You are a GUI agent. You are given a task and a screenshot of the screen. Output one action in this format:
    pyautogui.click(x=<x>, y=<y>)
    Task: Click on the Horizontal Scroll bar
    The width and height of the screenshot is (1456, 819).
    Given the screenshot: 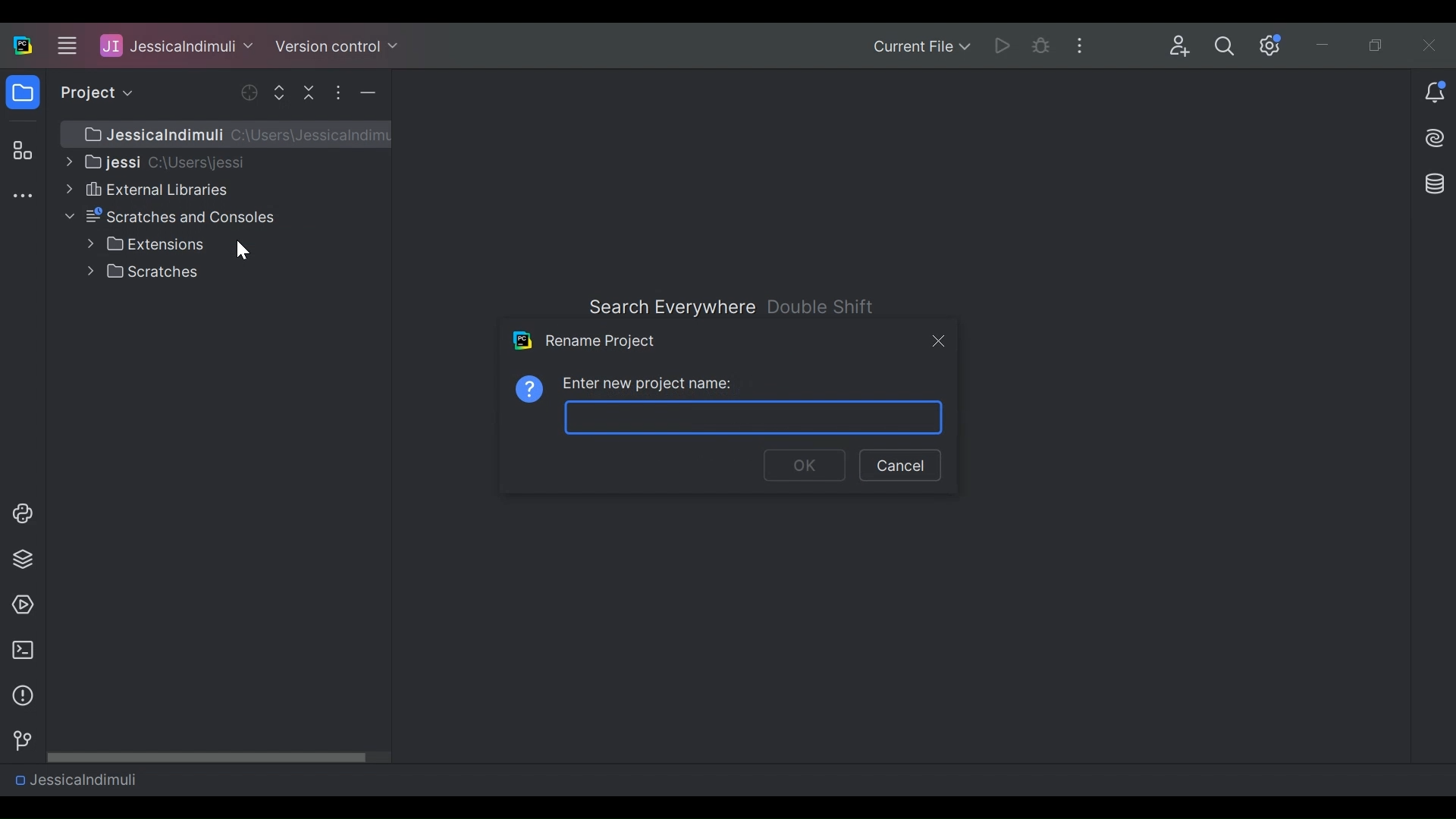 What is the action you would take?
    pyautogui.click(x=219, y=756)
    